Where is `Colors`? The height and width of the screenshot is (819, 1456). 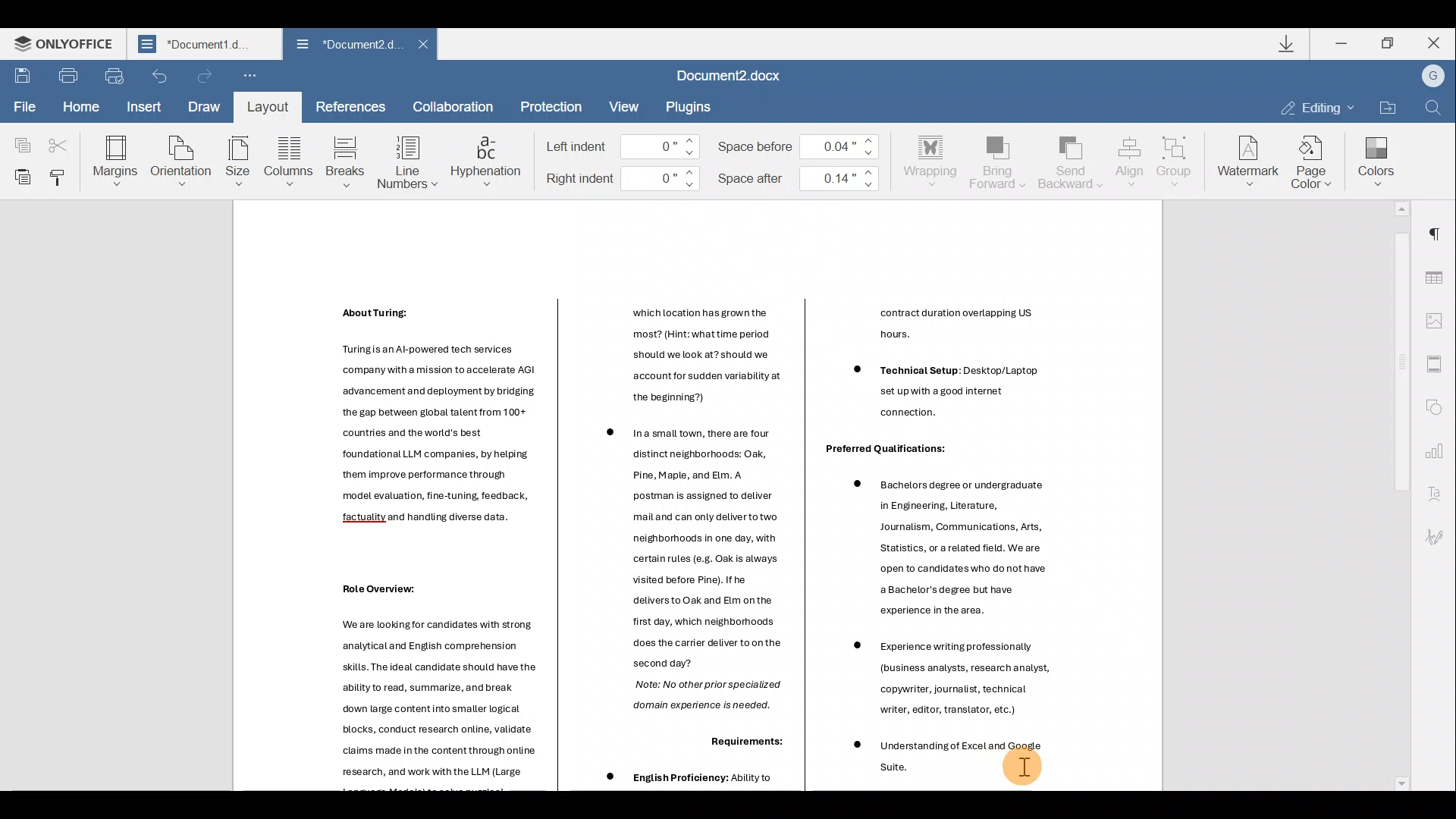 Colors is located at coordinates (1376, 157).